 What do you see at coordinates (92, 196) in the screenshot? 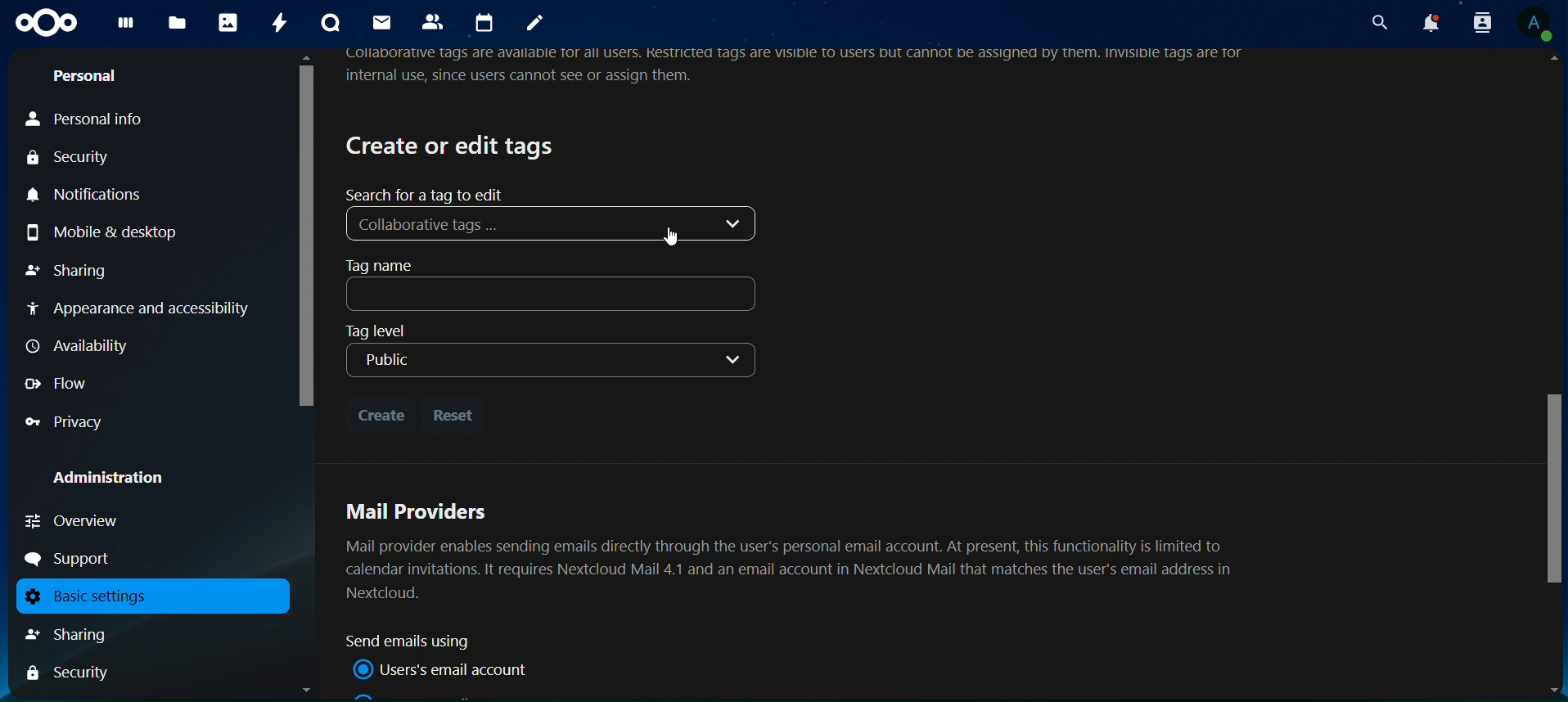
I see `notifications` at bounding box center [92, 196].